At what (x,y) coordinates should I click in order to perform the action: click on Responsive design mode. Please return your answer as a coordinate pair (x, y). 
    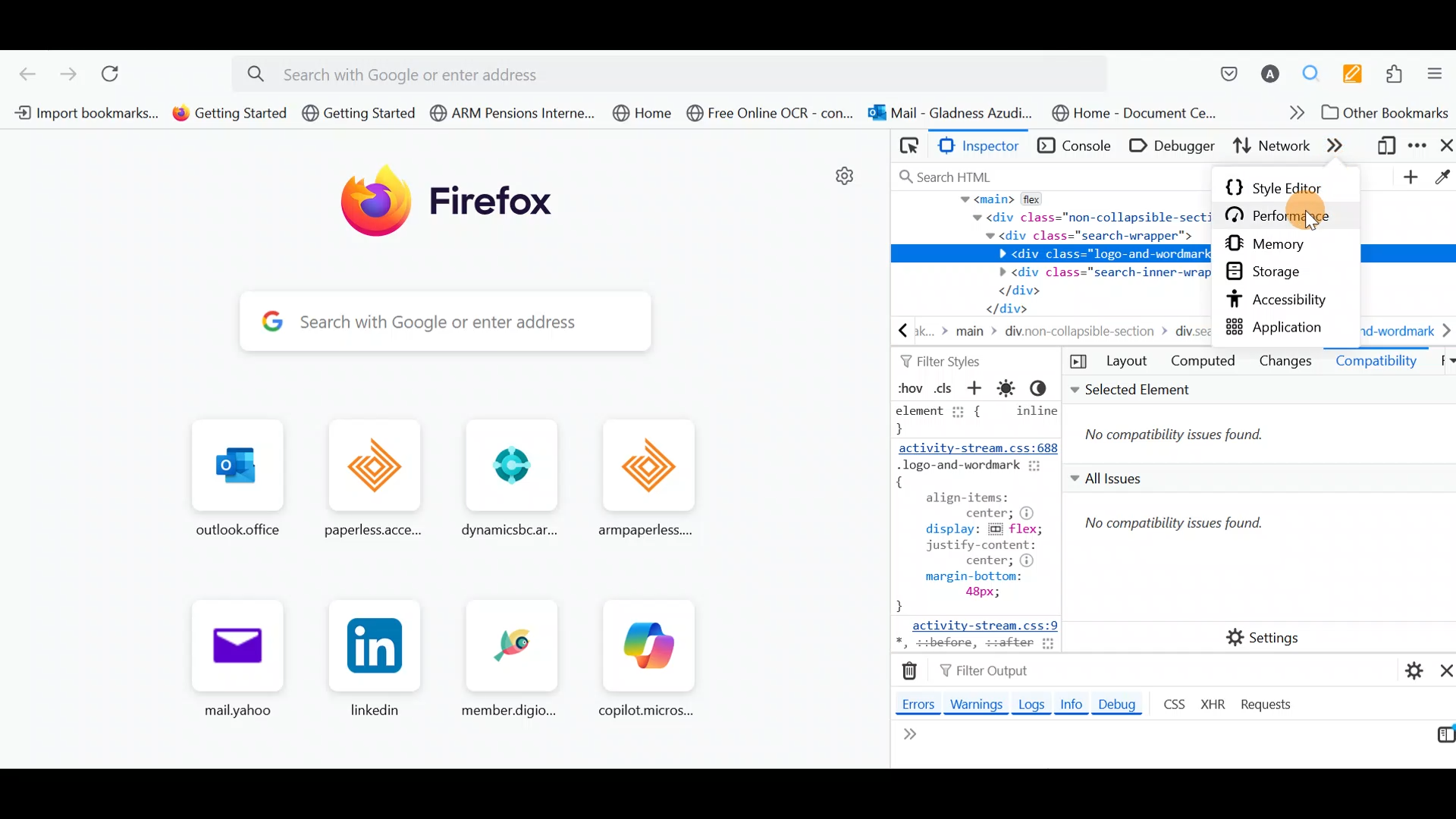
    Looking at the image, I should click on (1386, 149).